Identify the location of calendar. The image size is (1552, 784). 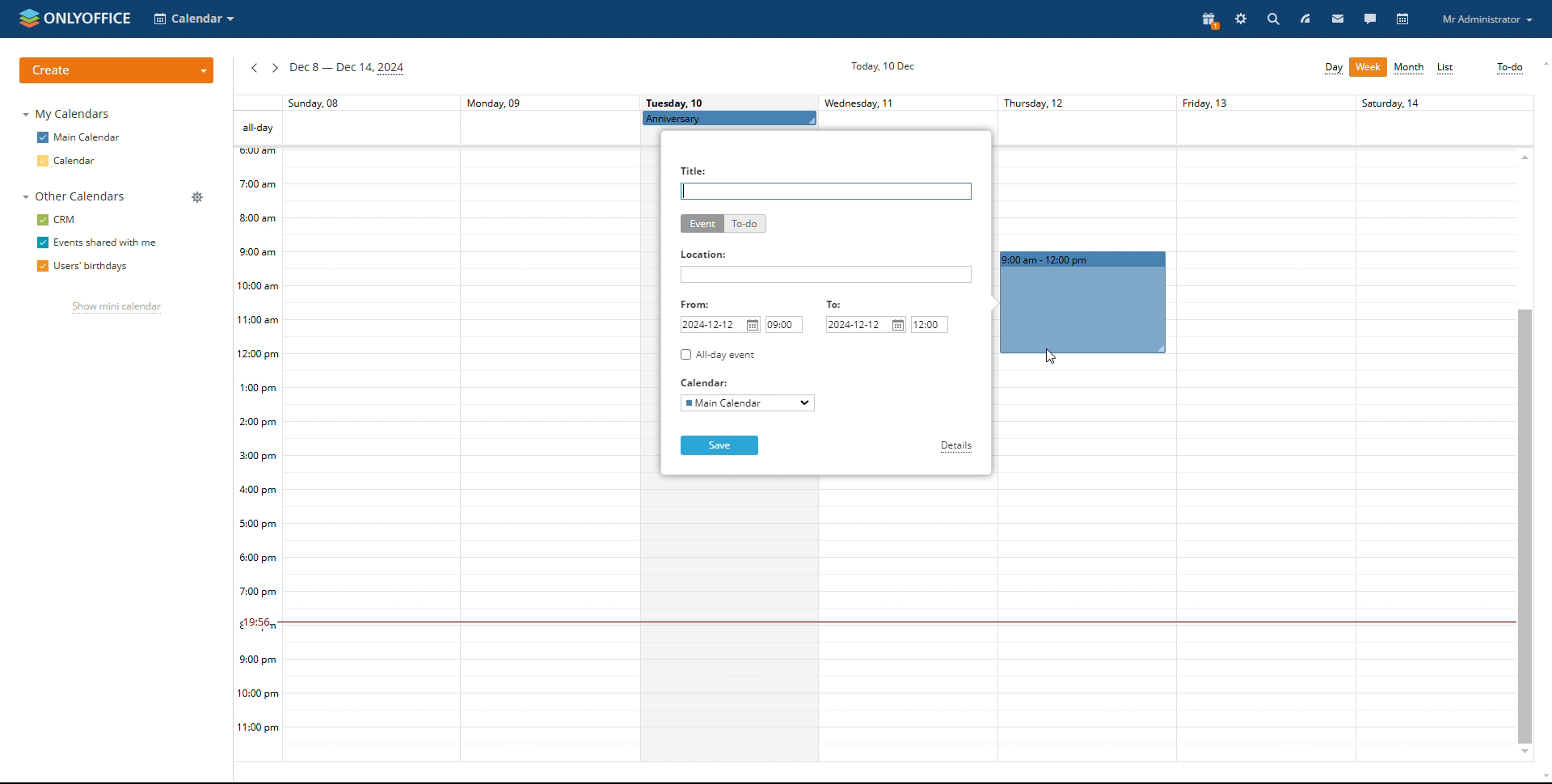
(1404, 19).